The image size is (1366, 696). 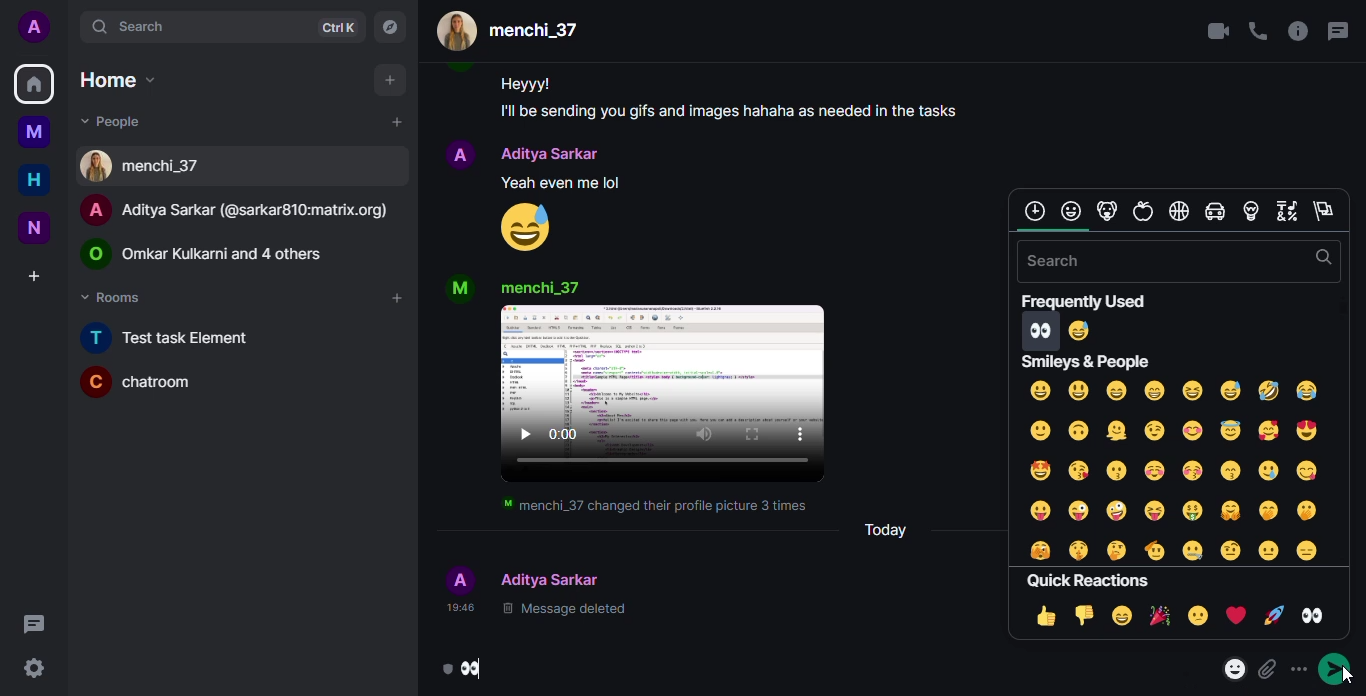 What do you see at coordinates (1040, 617) in the screenshot?
I see `thumbs up` at bounding box center [1040, 617].